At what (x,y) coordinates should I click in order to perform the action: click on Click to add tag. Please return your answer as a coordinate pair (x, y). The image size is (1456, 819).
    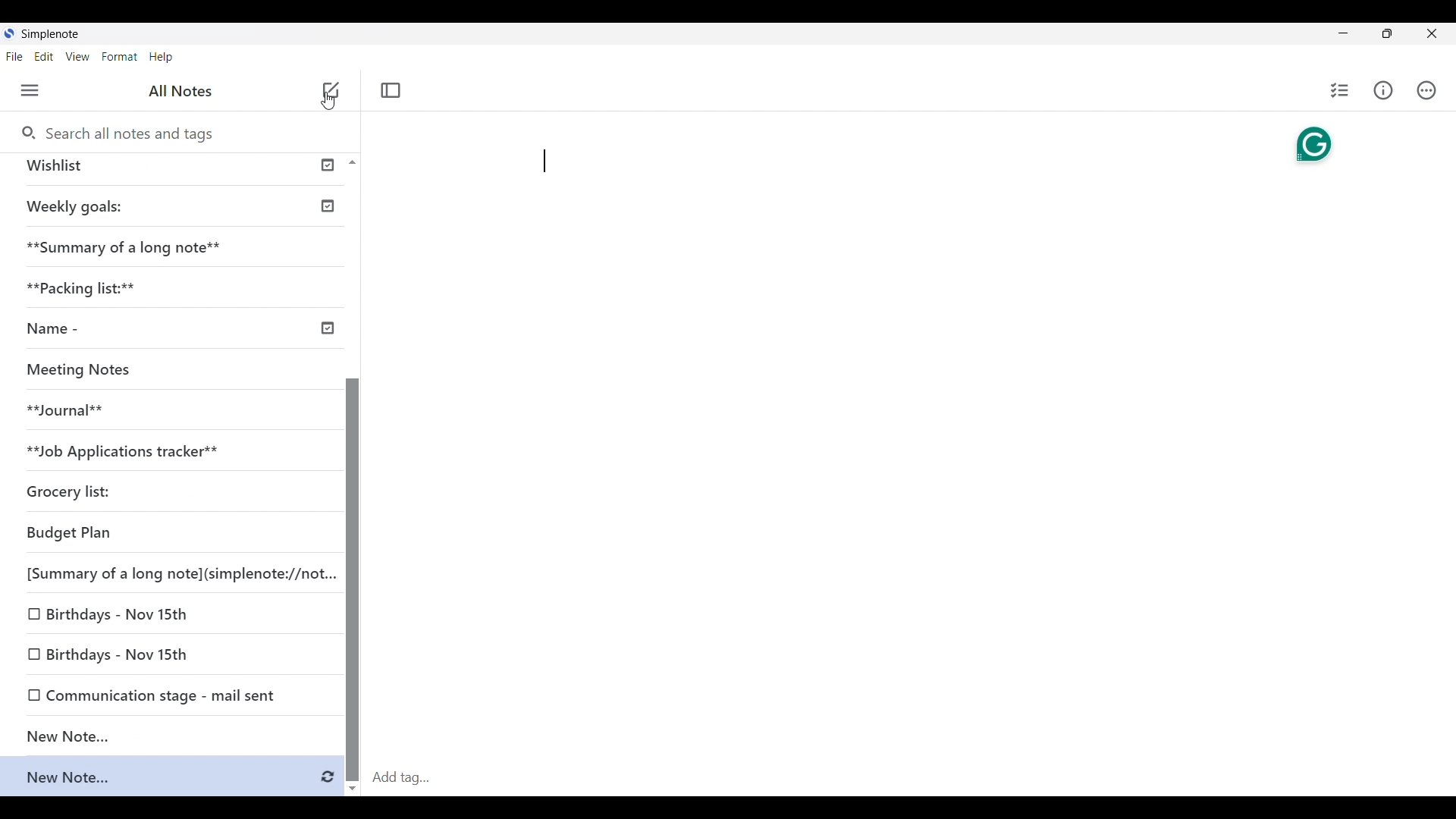
    Looking at the image, I should click on (912, 777).